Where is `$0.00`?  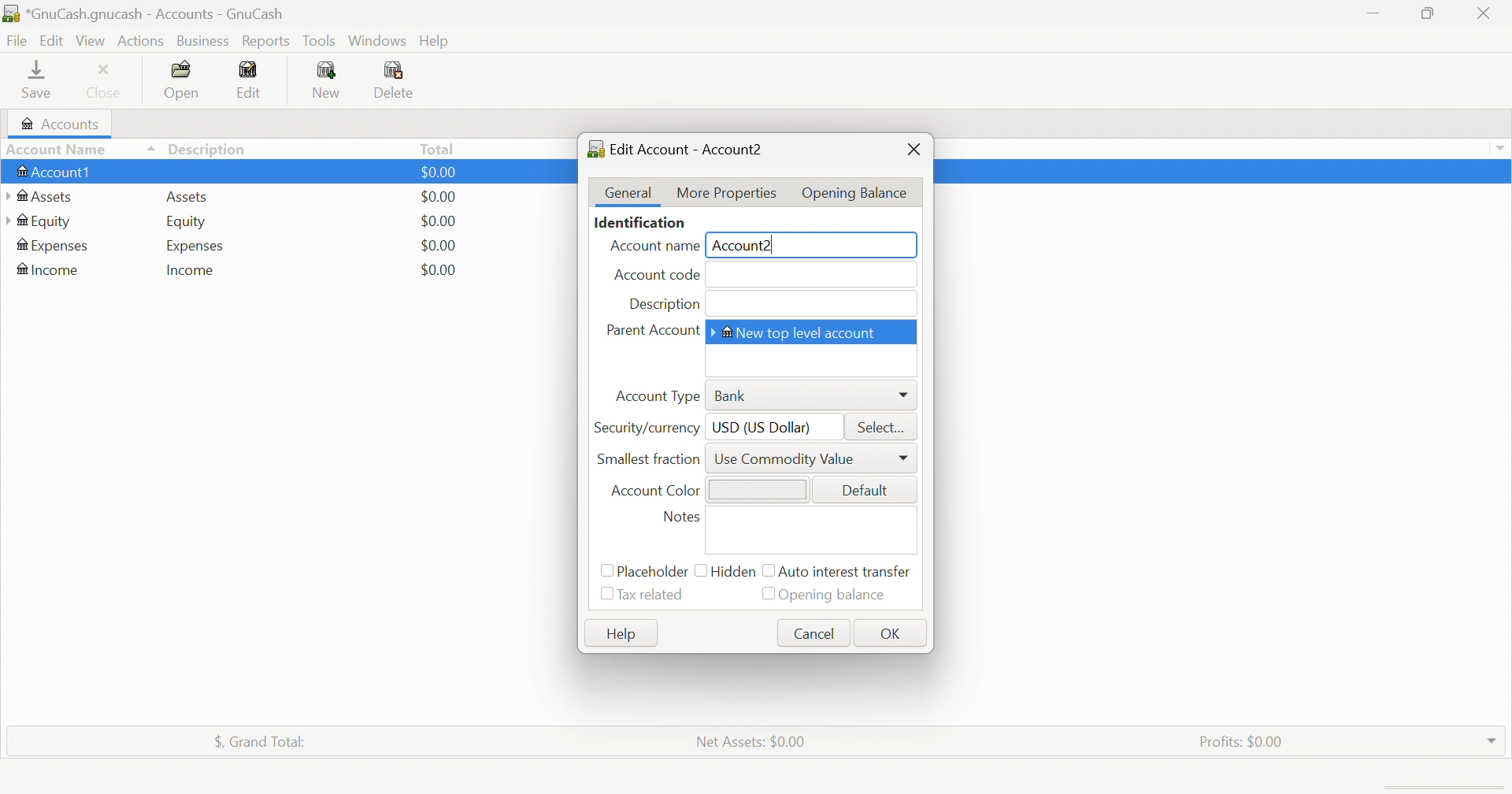
$0.00 is located at coordinates (440, 270).